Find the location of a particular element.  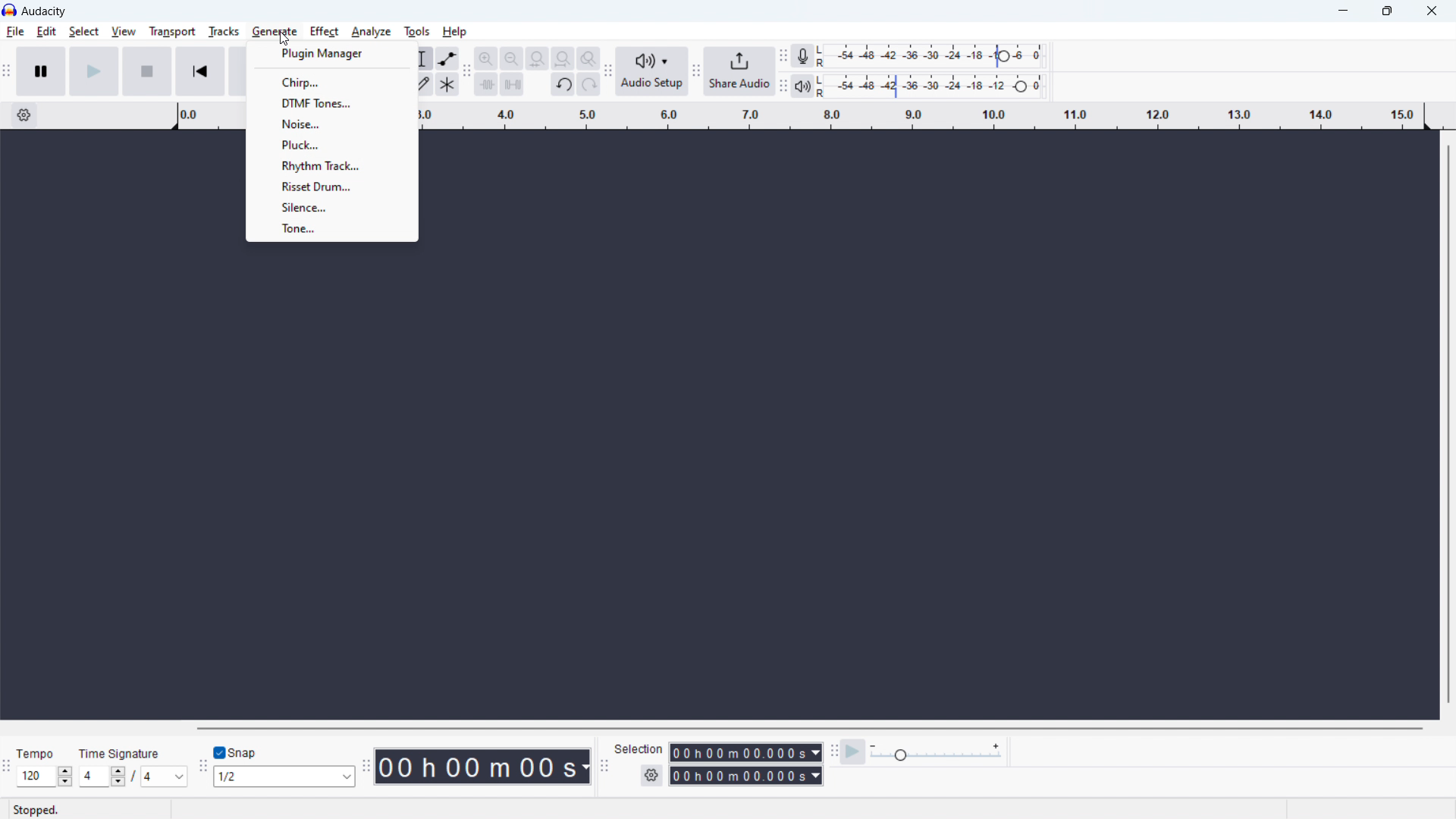

edit is located at coordinates (47, 31).